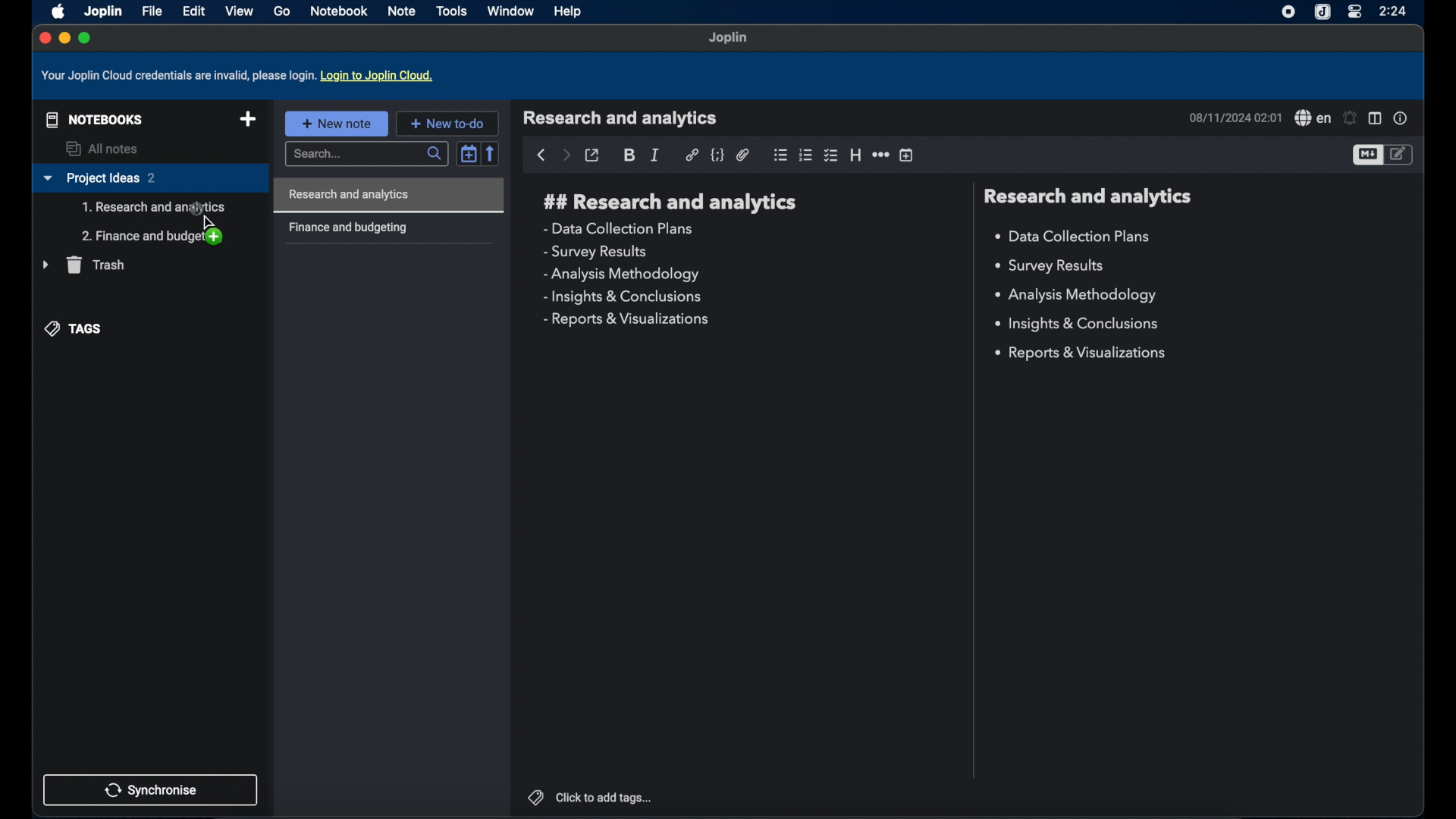  What do you see at coordinates (75, 328) in the screenshot?
I see `tags` at bounding box center [75, 328].